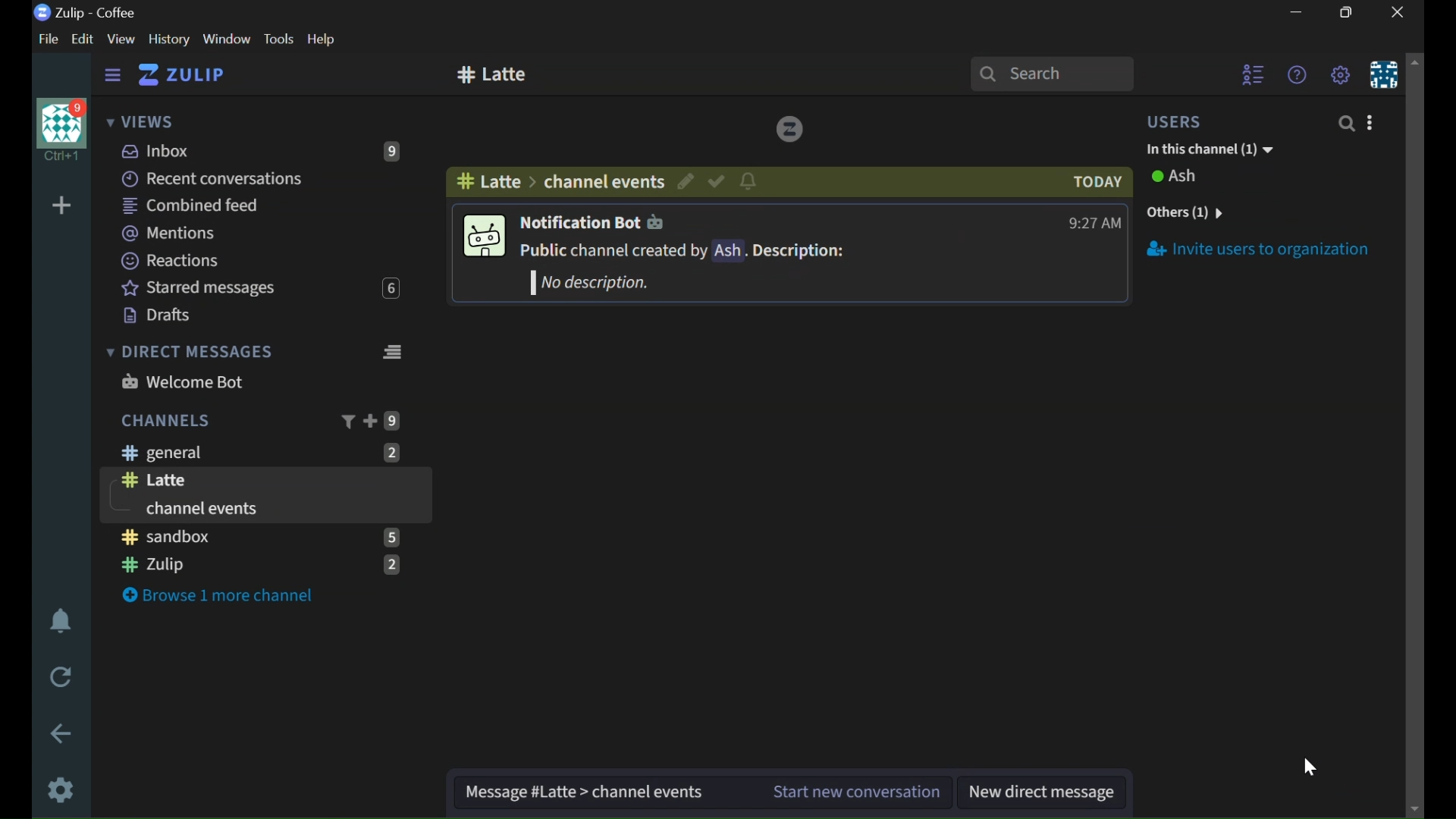 This screenshot has height=819, width=1456. I want to click on SETTINGS, so click(62, 789).